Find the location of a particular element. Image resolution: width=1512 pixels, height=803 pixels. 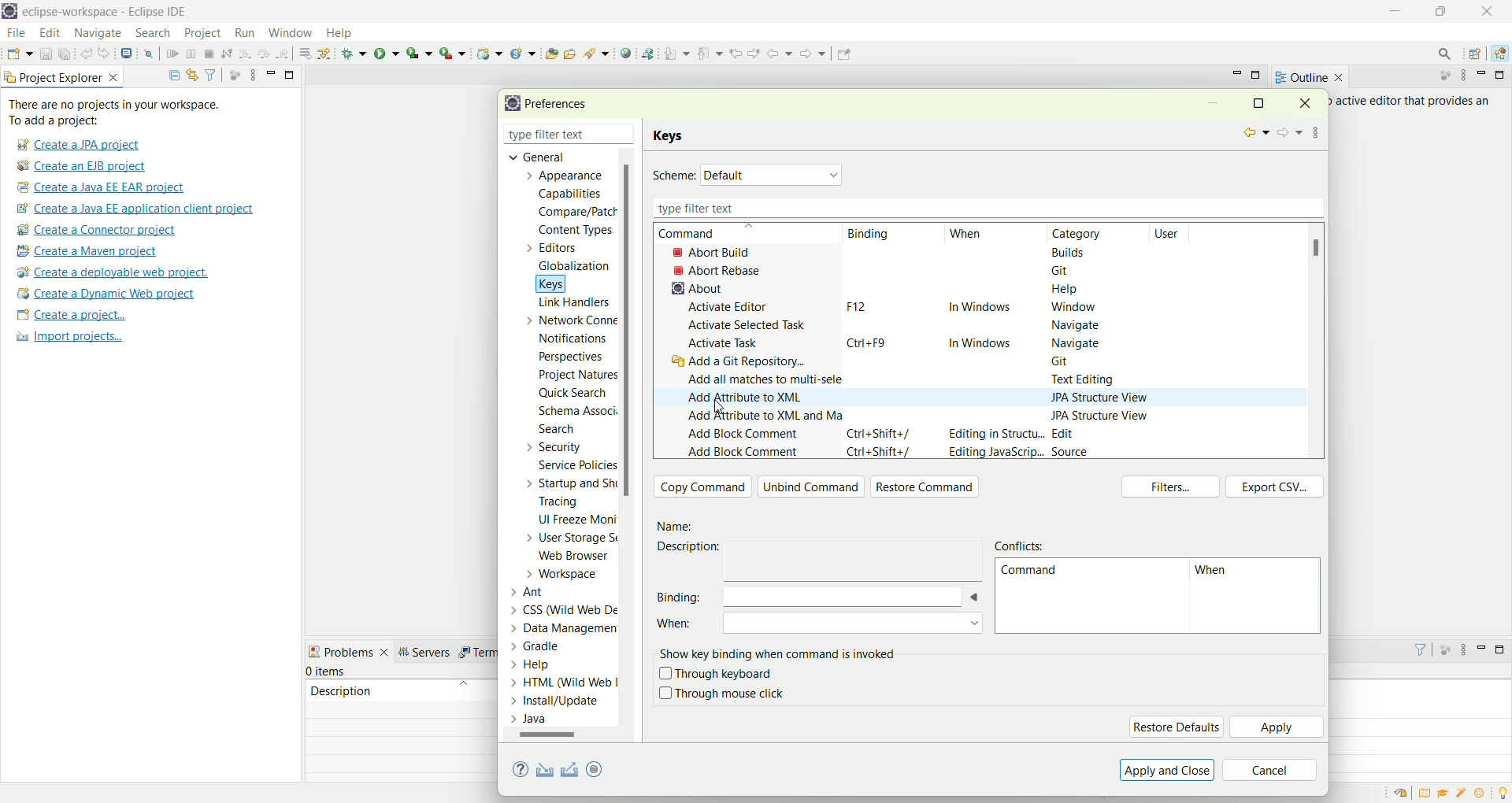

servers is located at coordinates (428, 652).